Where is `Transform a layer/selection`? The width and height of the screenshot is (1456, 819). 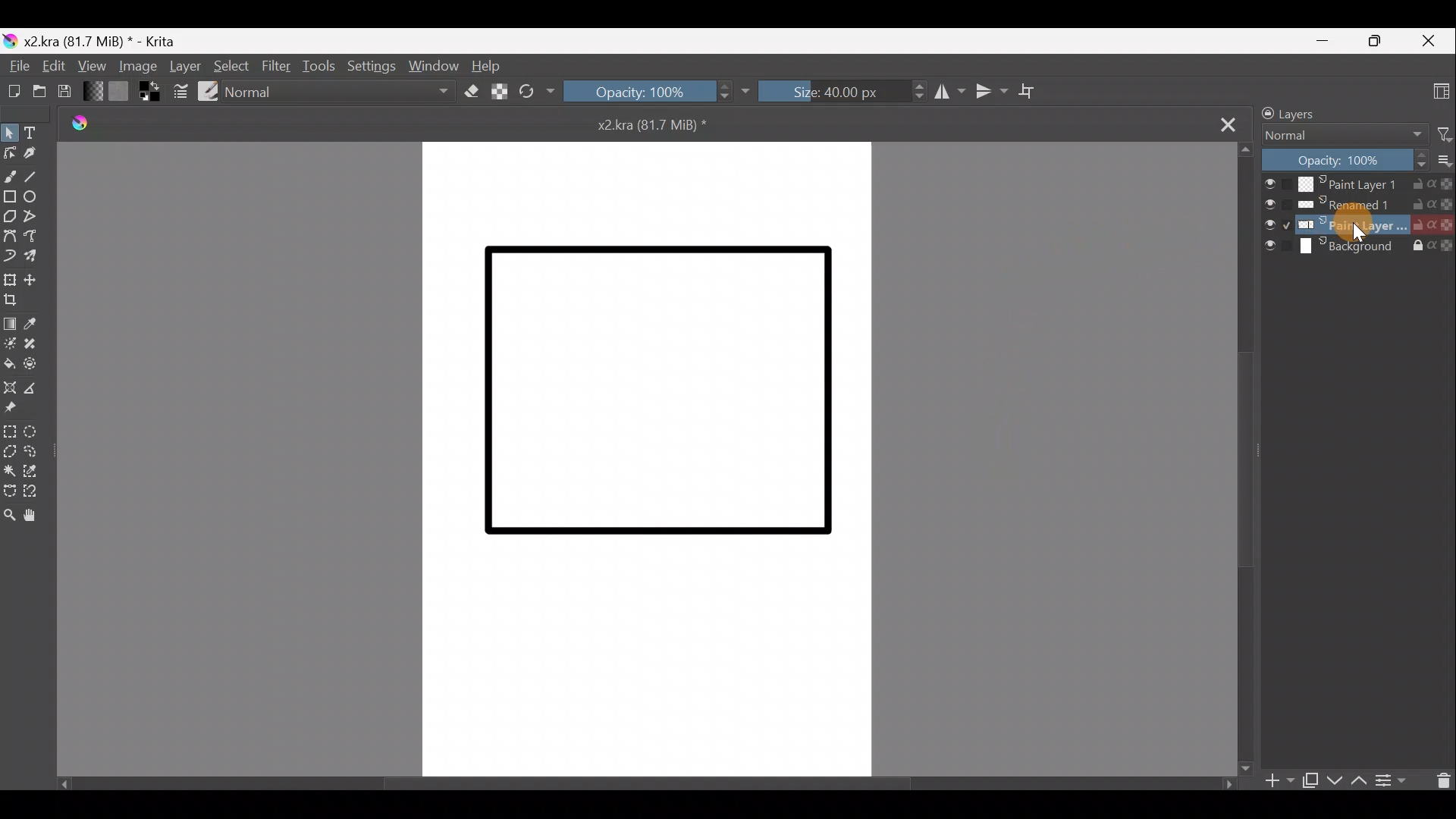 Transform a layer/selection is located at coordinates (10, 275).